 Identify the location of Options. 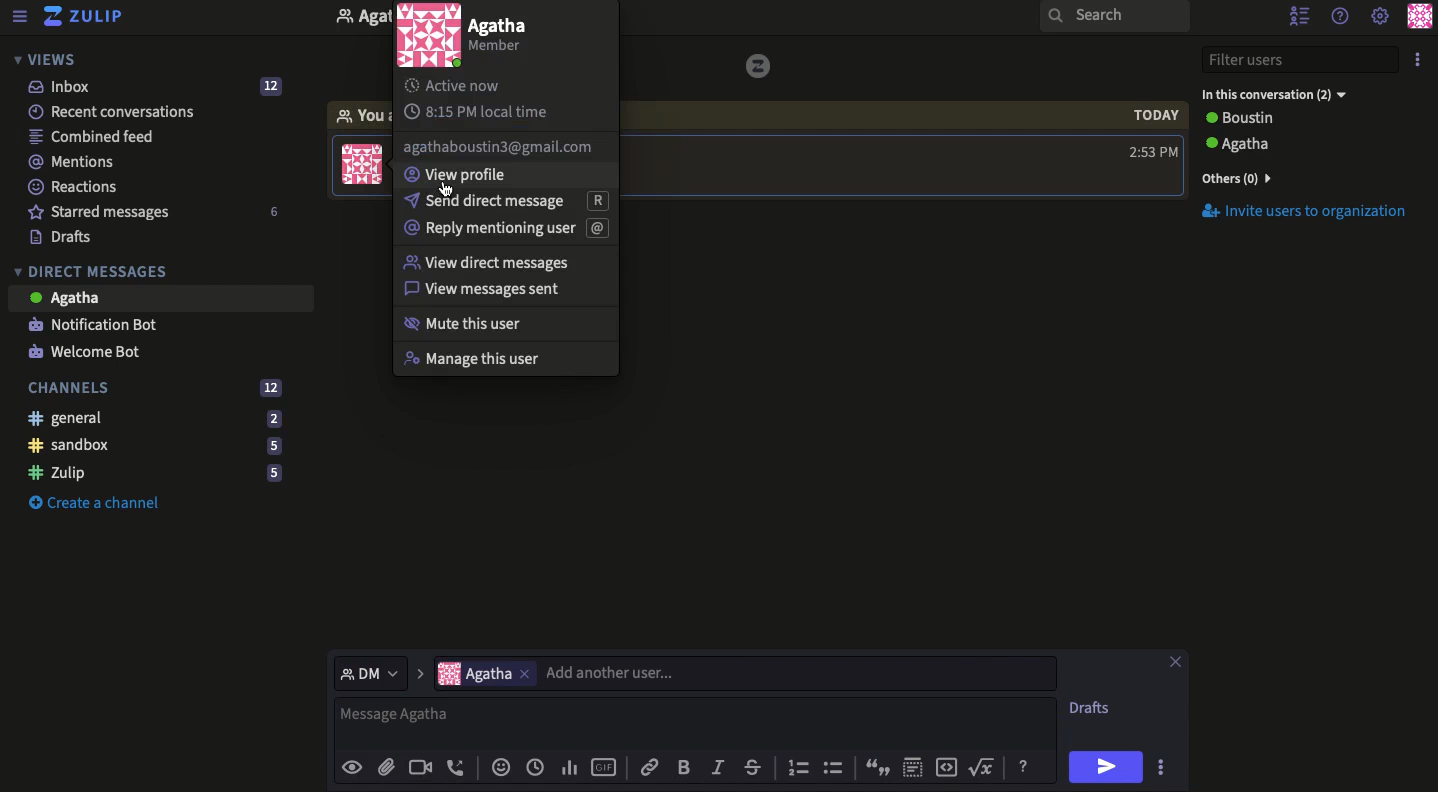
(1161, 766).